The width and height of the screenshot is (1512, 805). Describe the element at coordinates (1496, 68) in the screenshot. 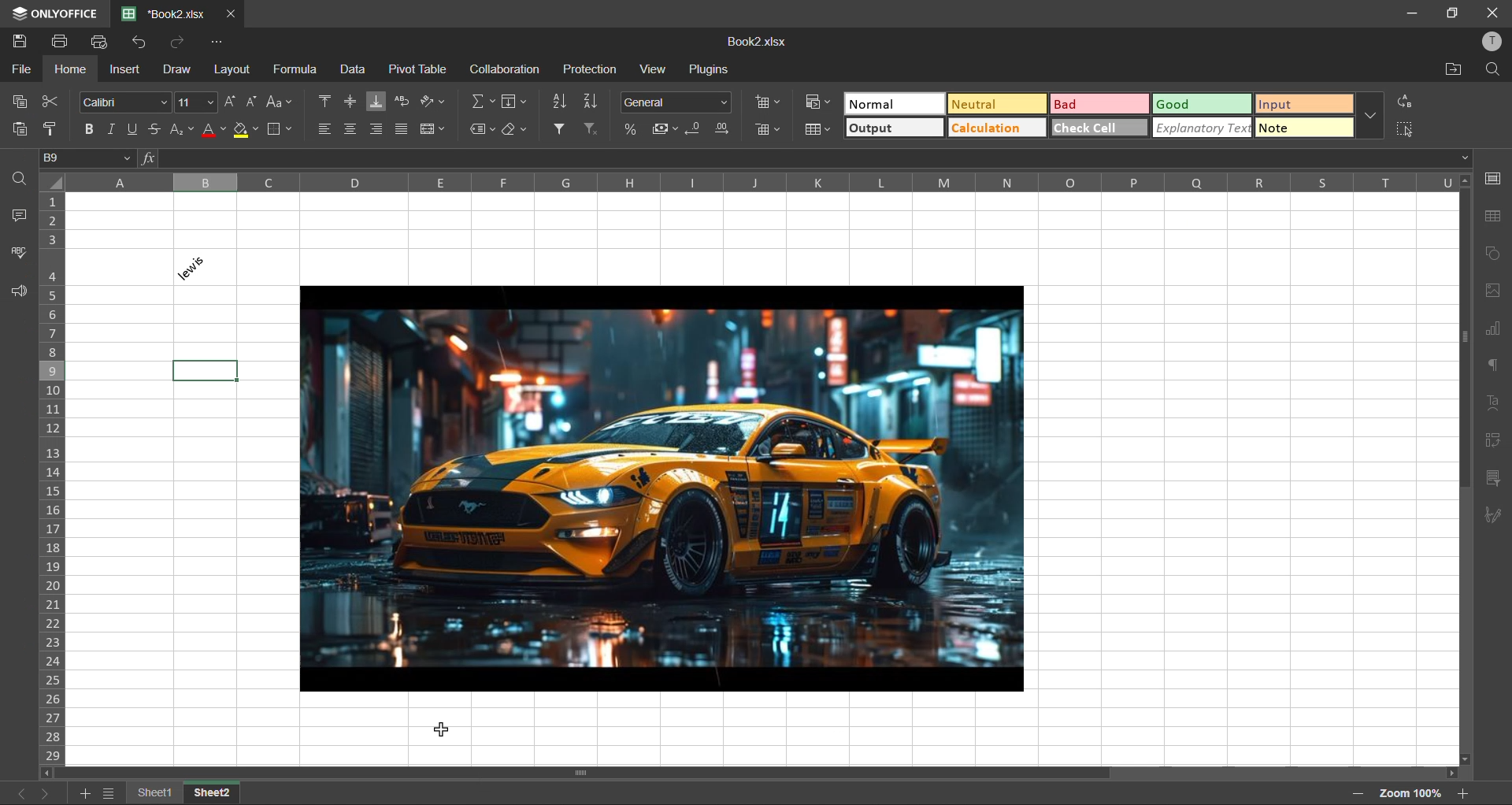

I see `find` at that location.